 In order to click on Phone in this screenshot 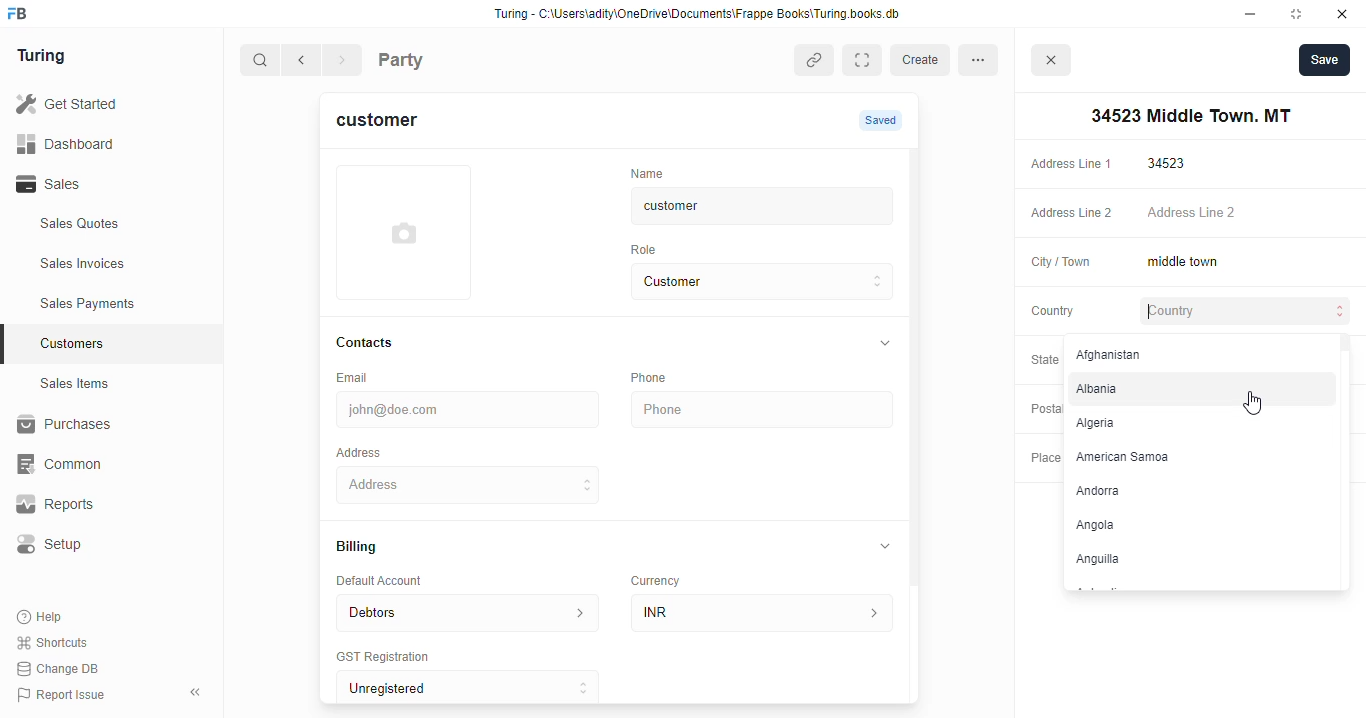, I will do `click(660, 377)`.